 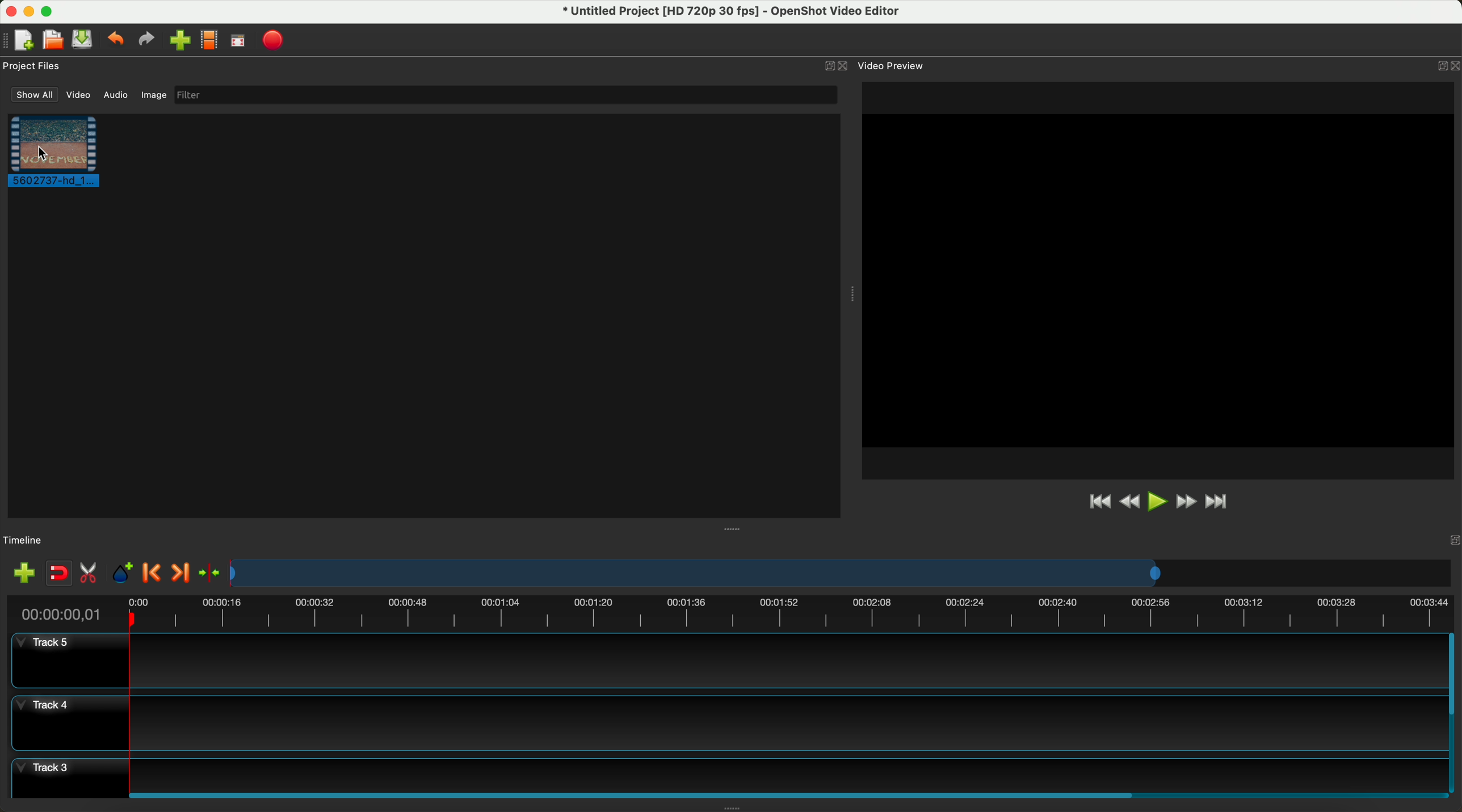 What do you see at coordinates (1444, 64) in the screenshot?
I see `` at bounding box center [1444, 64].